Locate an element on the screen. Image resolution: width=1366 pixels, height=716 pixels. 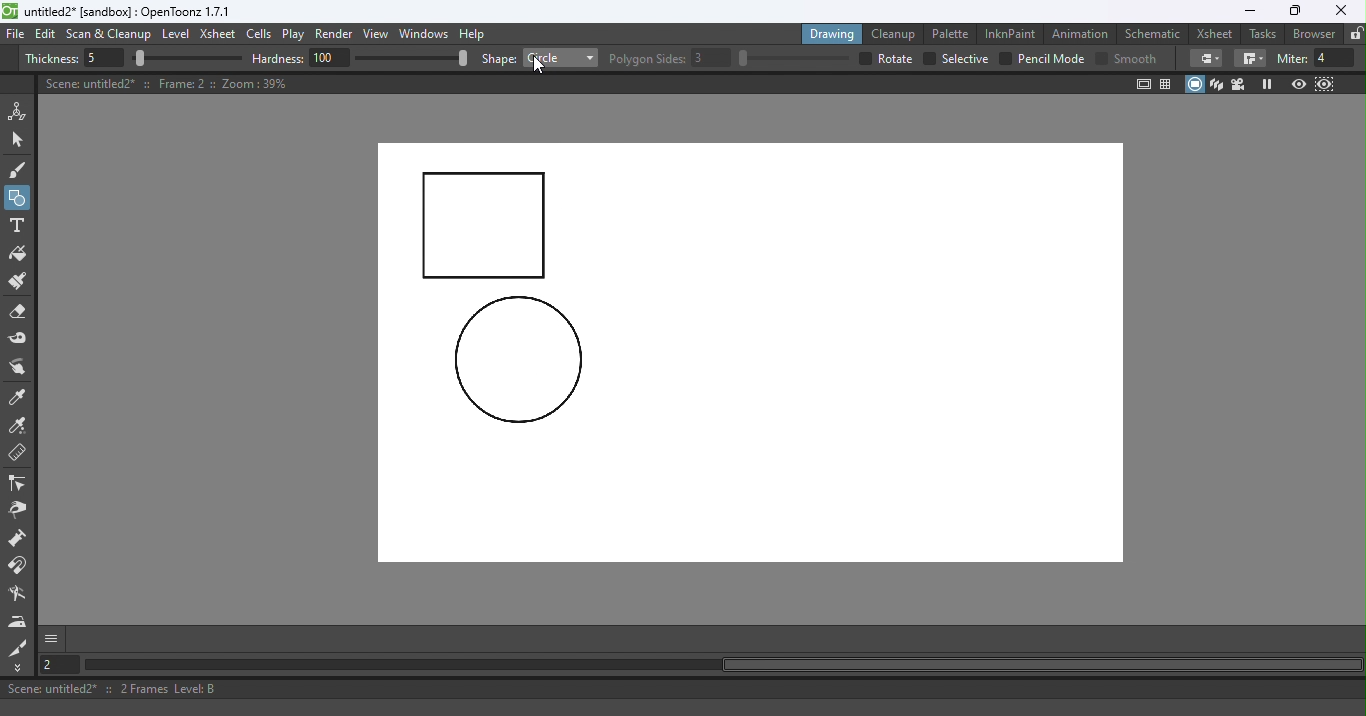
logo is located at coordinates (10, 11).